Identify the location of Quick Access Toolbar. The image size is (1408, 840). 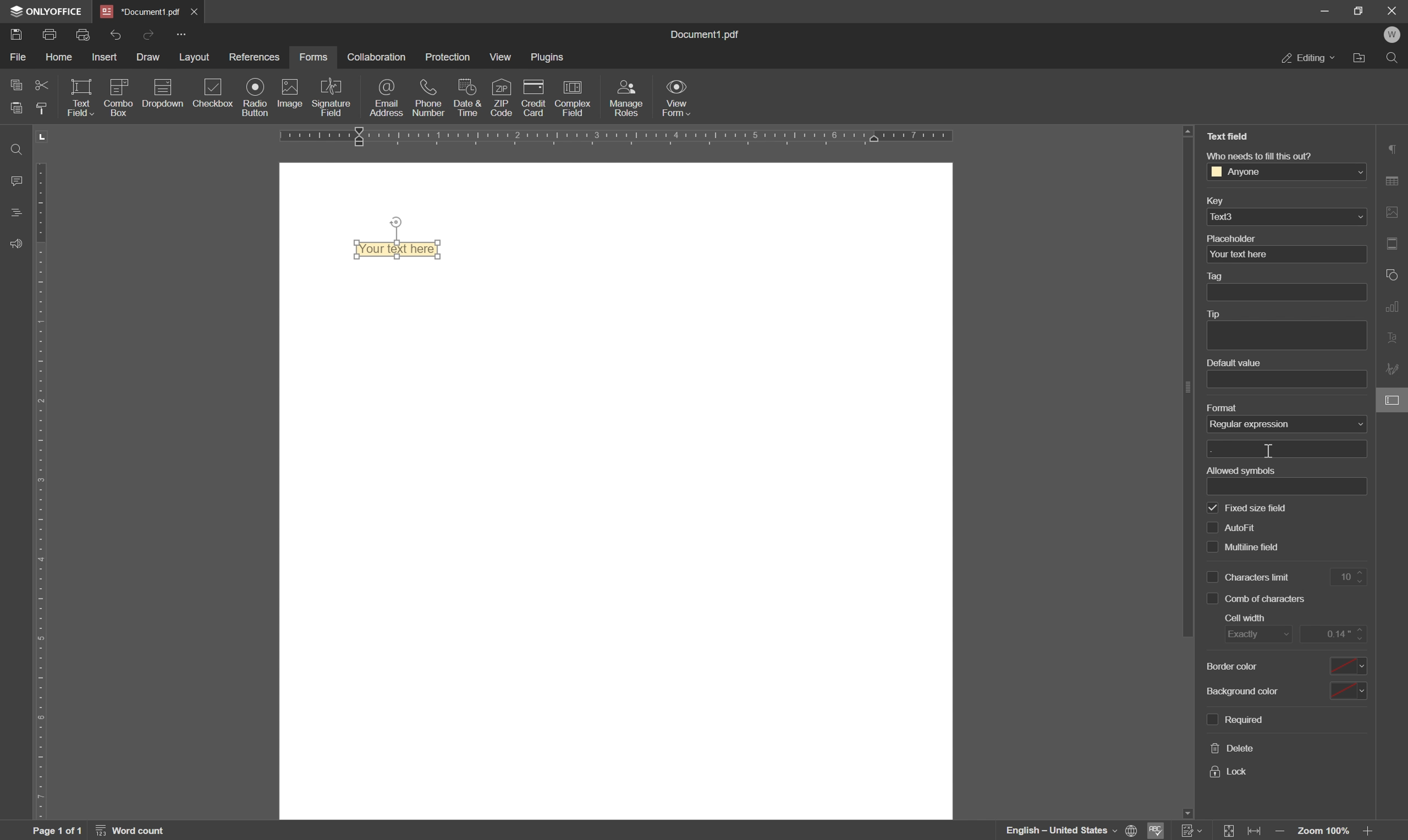
(181, 34).